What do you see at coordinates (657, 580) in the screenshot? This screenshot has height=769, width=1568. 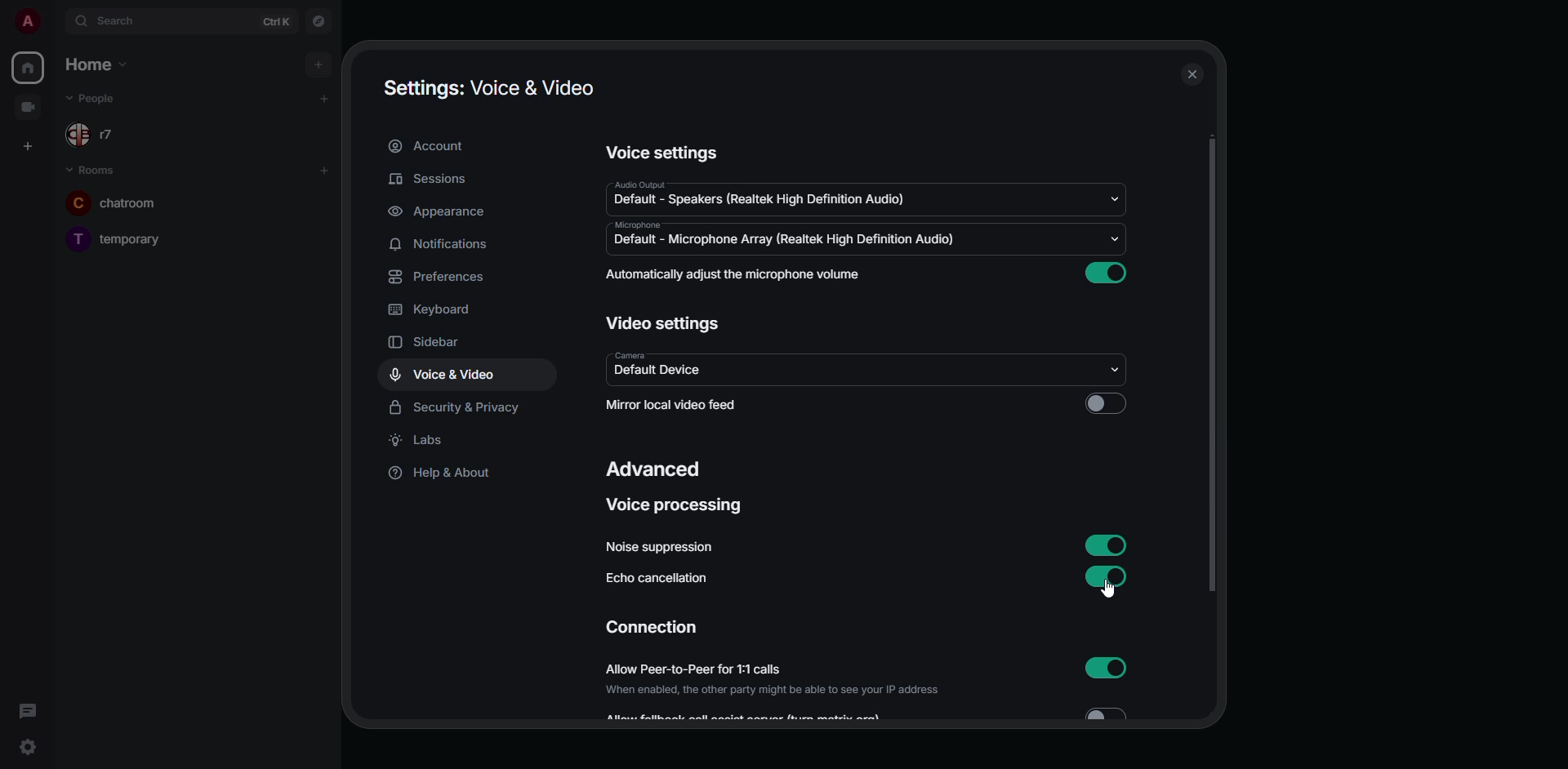 I see `echo cancellation` at bounding box center [657, 580].